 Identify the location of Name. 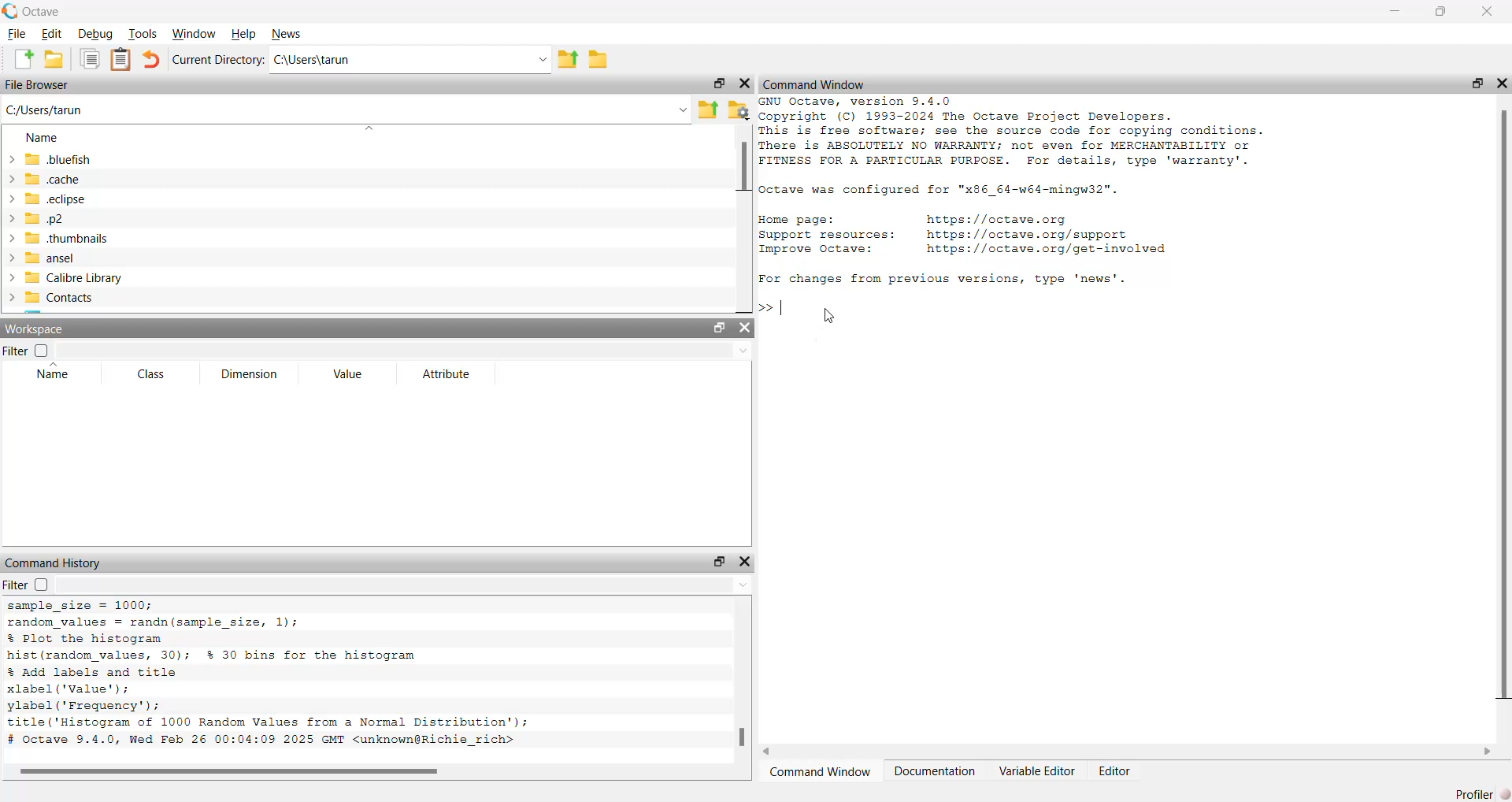
(51, 372).